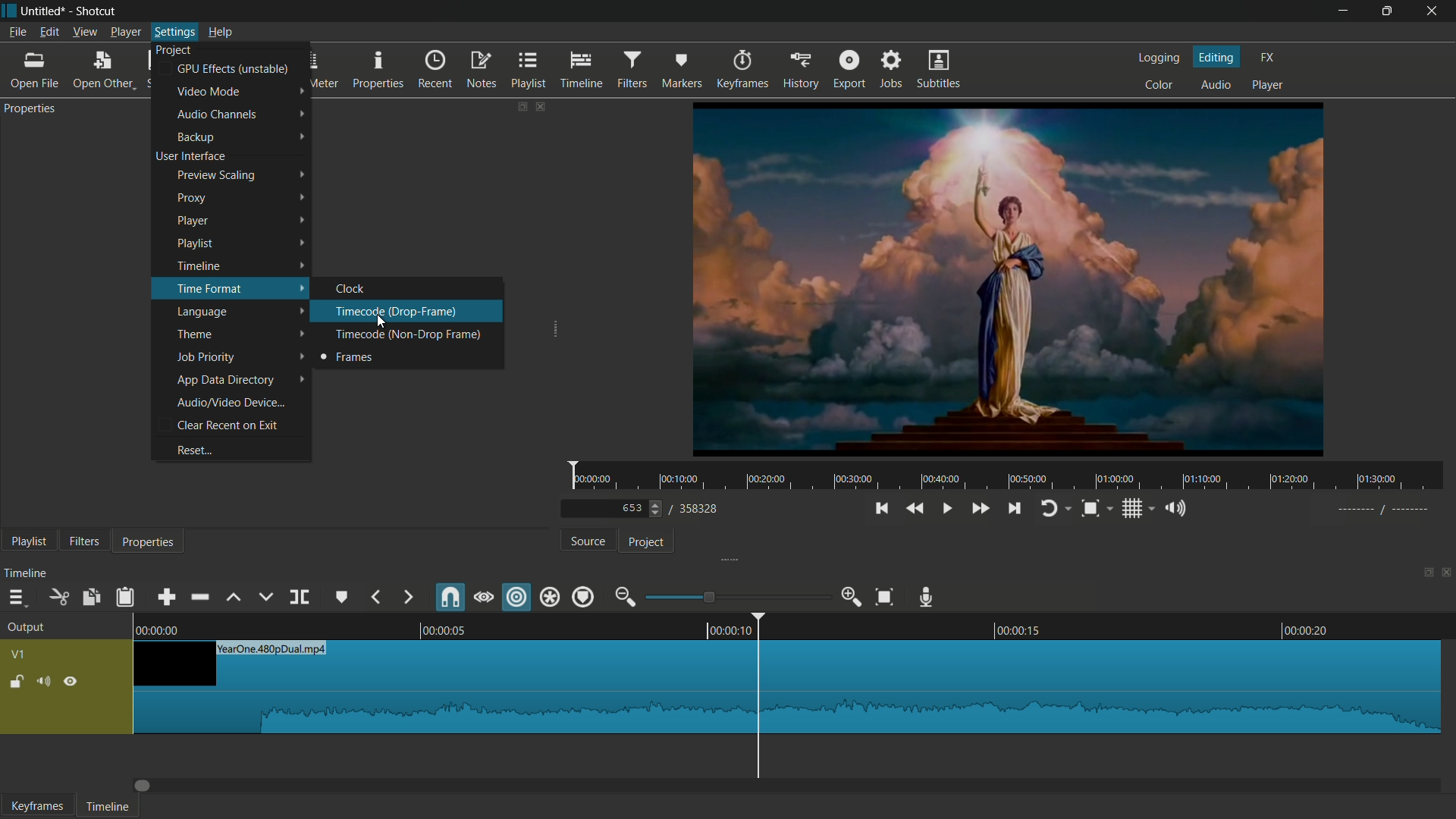 Image resolution: width=1456 pixels, height=819 pixels. What do you see at coordinates (851, 70) in the screenshot?
I see `export` at bounding box center [851, 70].